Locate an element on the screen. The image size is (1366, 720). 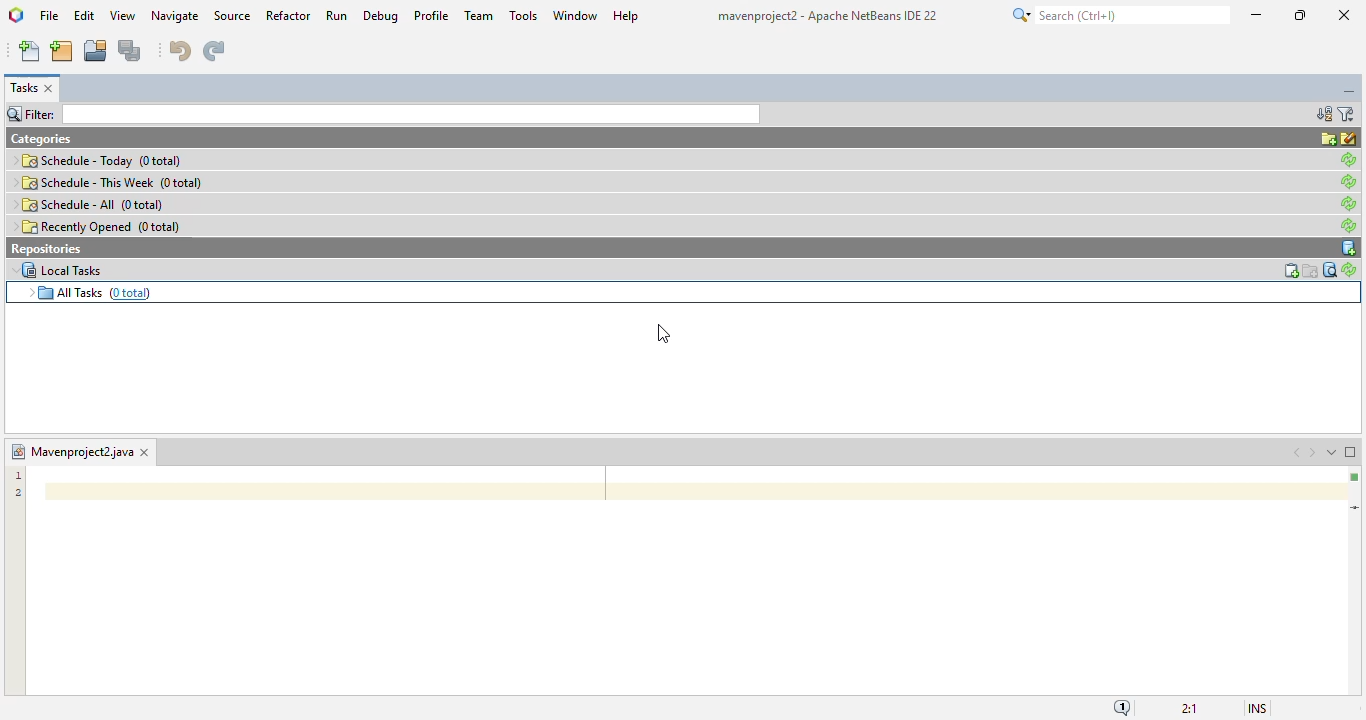
magnification ratio is located at coordinates (1189, 707).